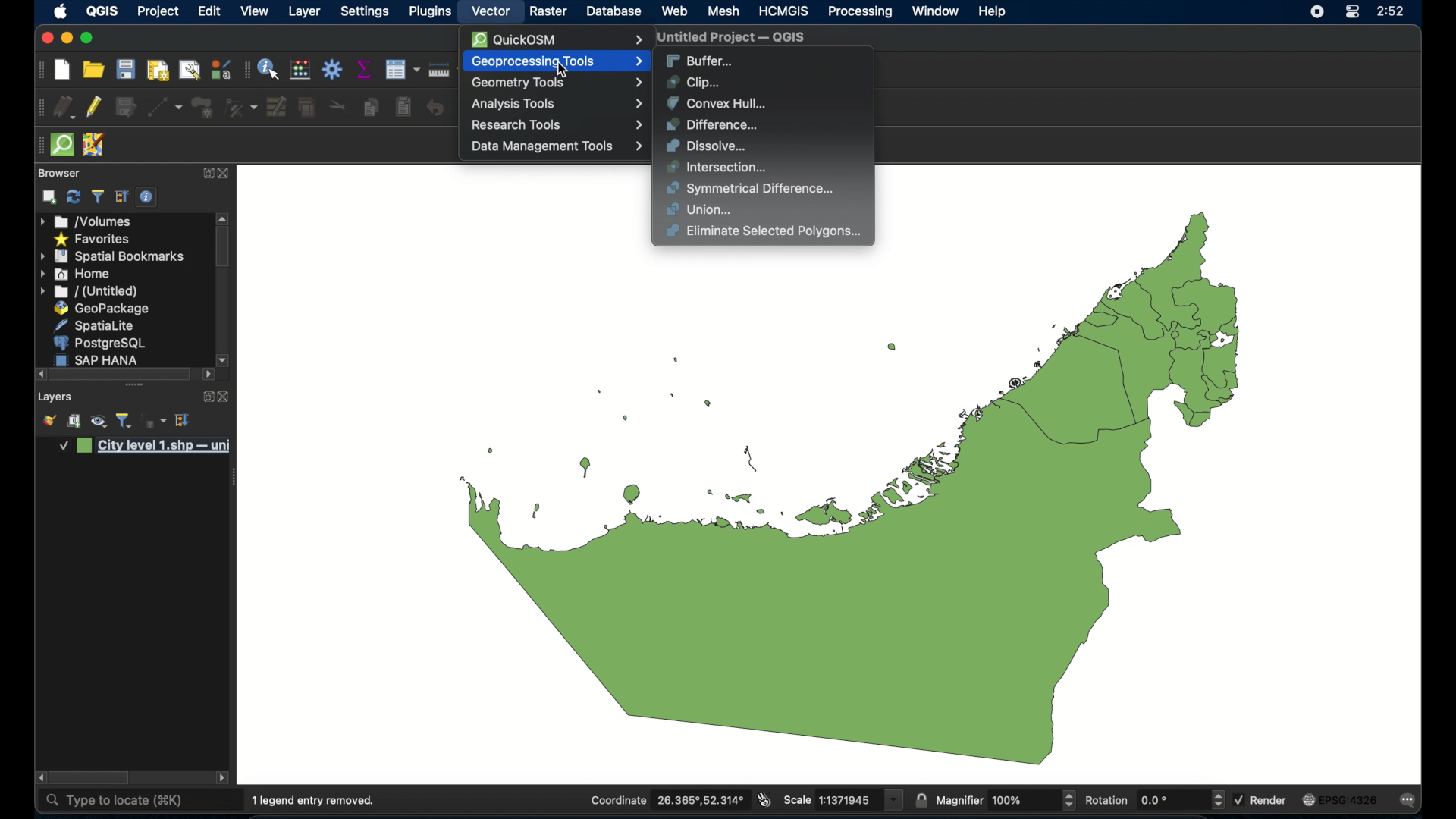 The width and height of the screenshot is (1456, 819). Describe the element at coordinates (700, 59) in the screenshot. I see `buffer` at that location.